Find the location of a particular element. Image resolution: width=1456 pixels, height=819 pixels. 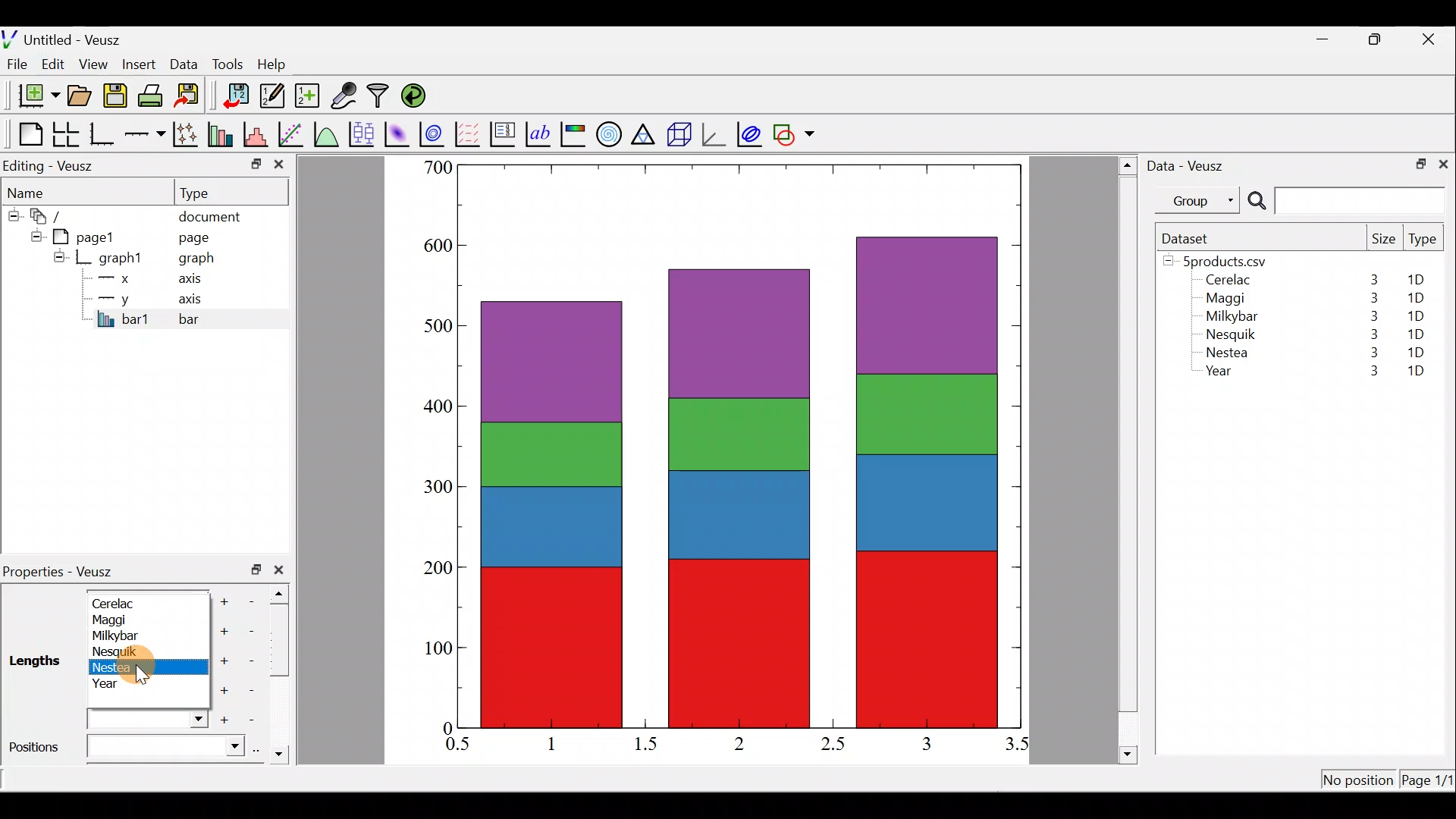

Size is located at coordinates (1383, 240).